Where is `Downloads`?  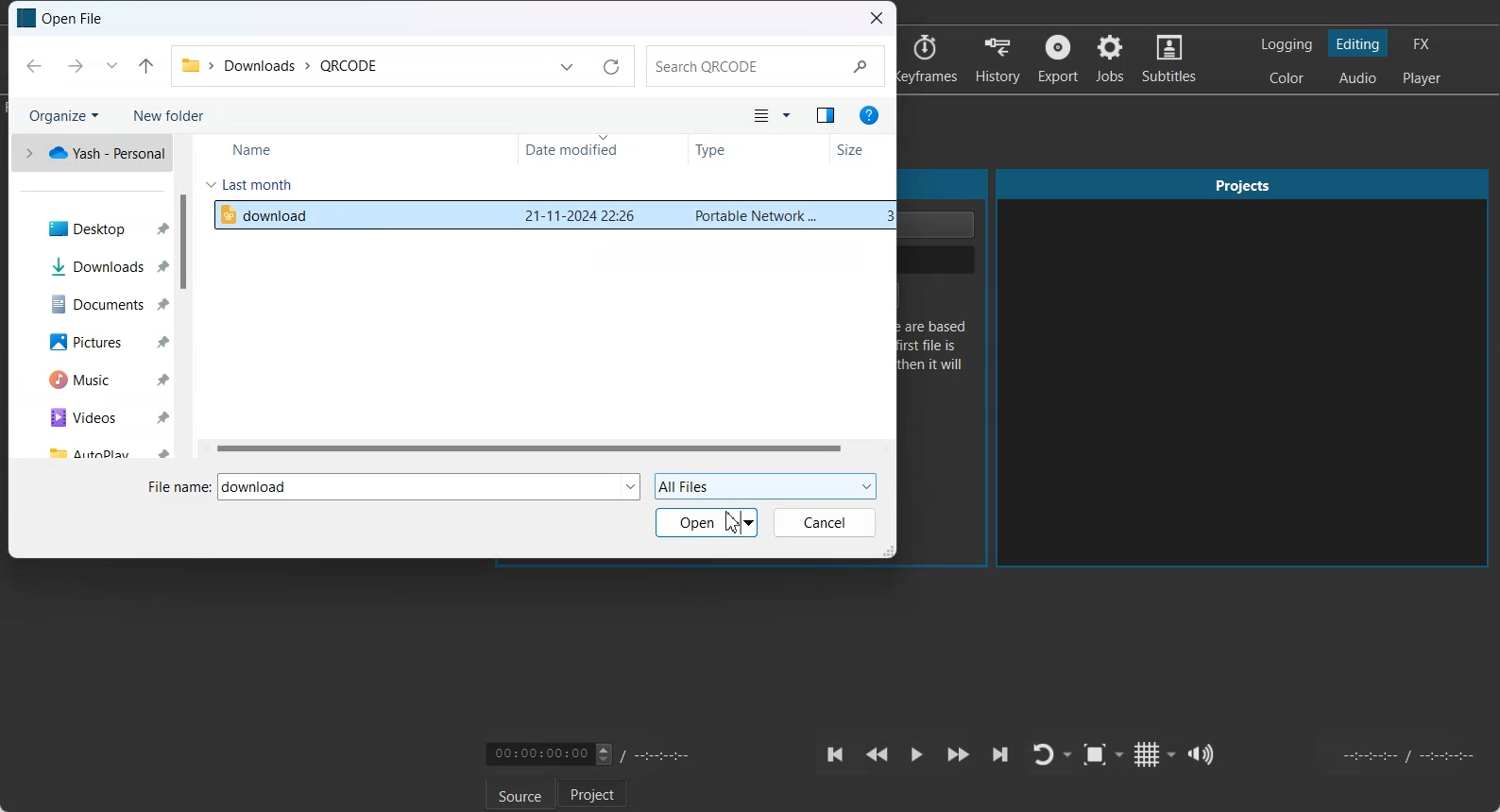
Downloads is located at coordinates (91, 264).